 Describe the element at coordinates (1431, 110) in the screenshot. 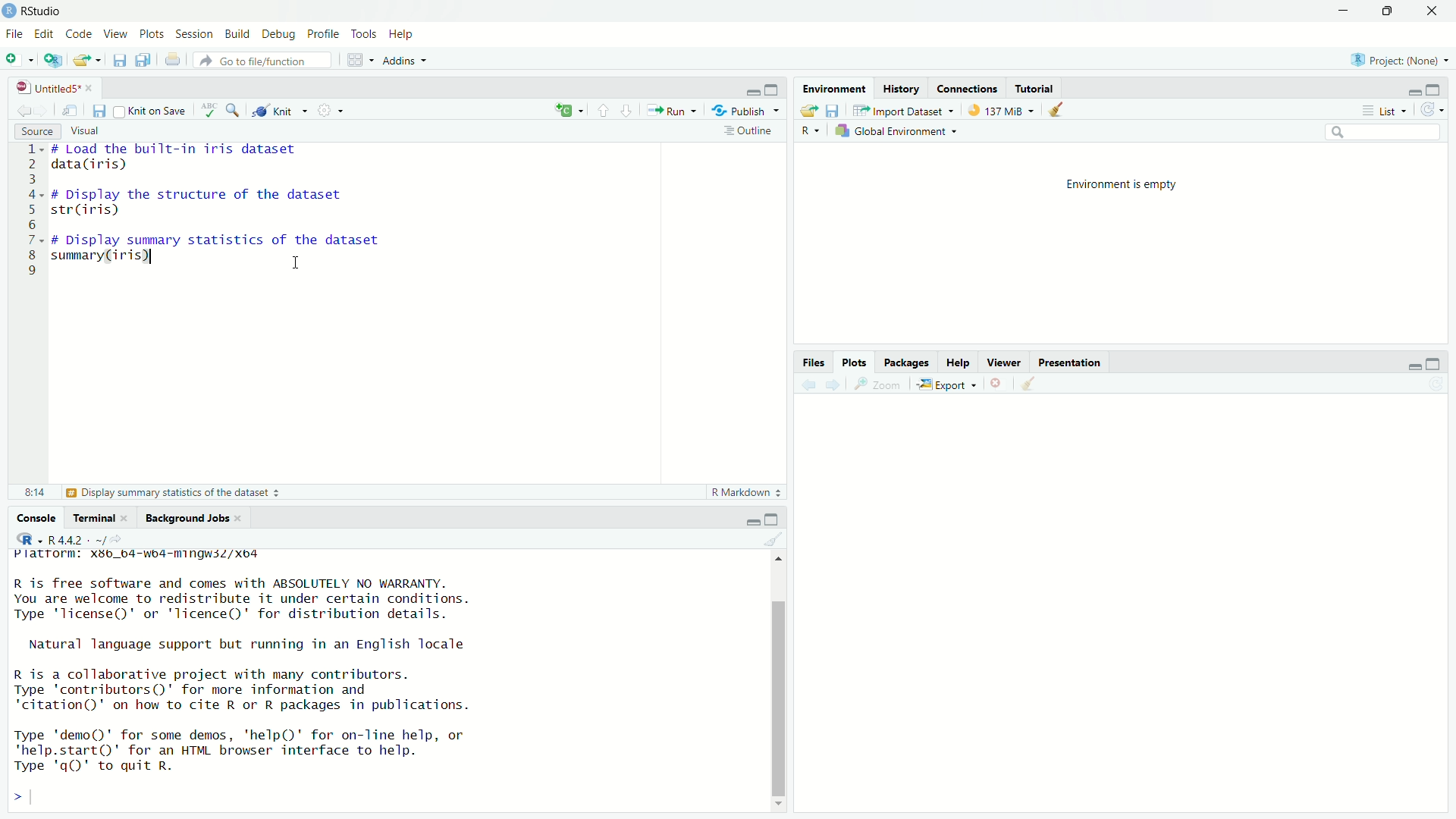

I see `Refresh` at that location.